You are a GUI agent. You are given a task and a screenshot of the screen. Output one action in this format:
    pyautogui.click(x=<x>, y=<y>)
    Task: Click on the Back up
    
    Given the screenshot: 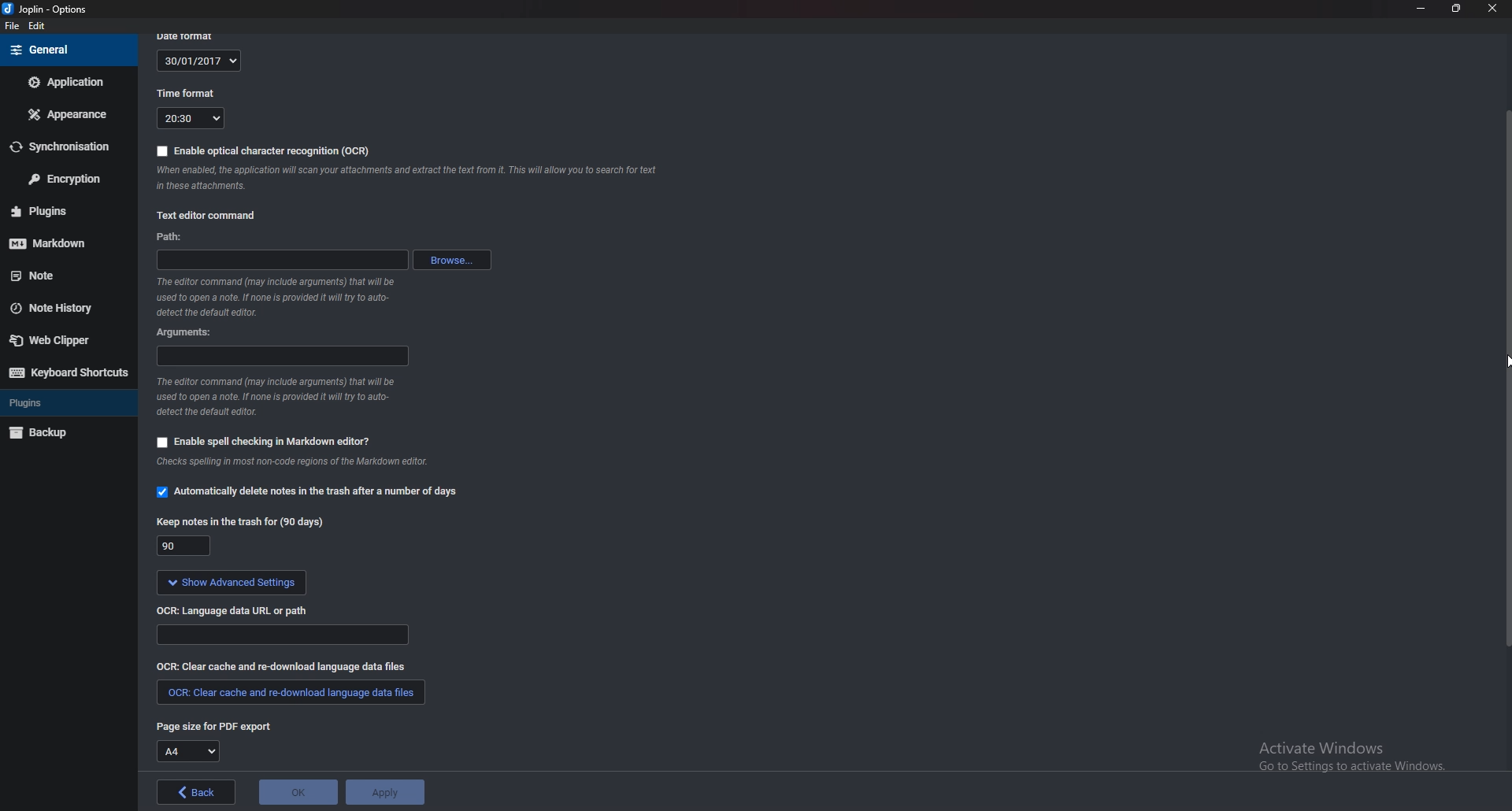 What is the action you would take?
    pyautogui.click(x=62, y=432)
    